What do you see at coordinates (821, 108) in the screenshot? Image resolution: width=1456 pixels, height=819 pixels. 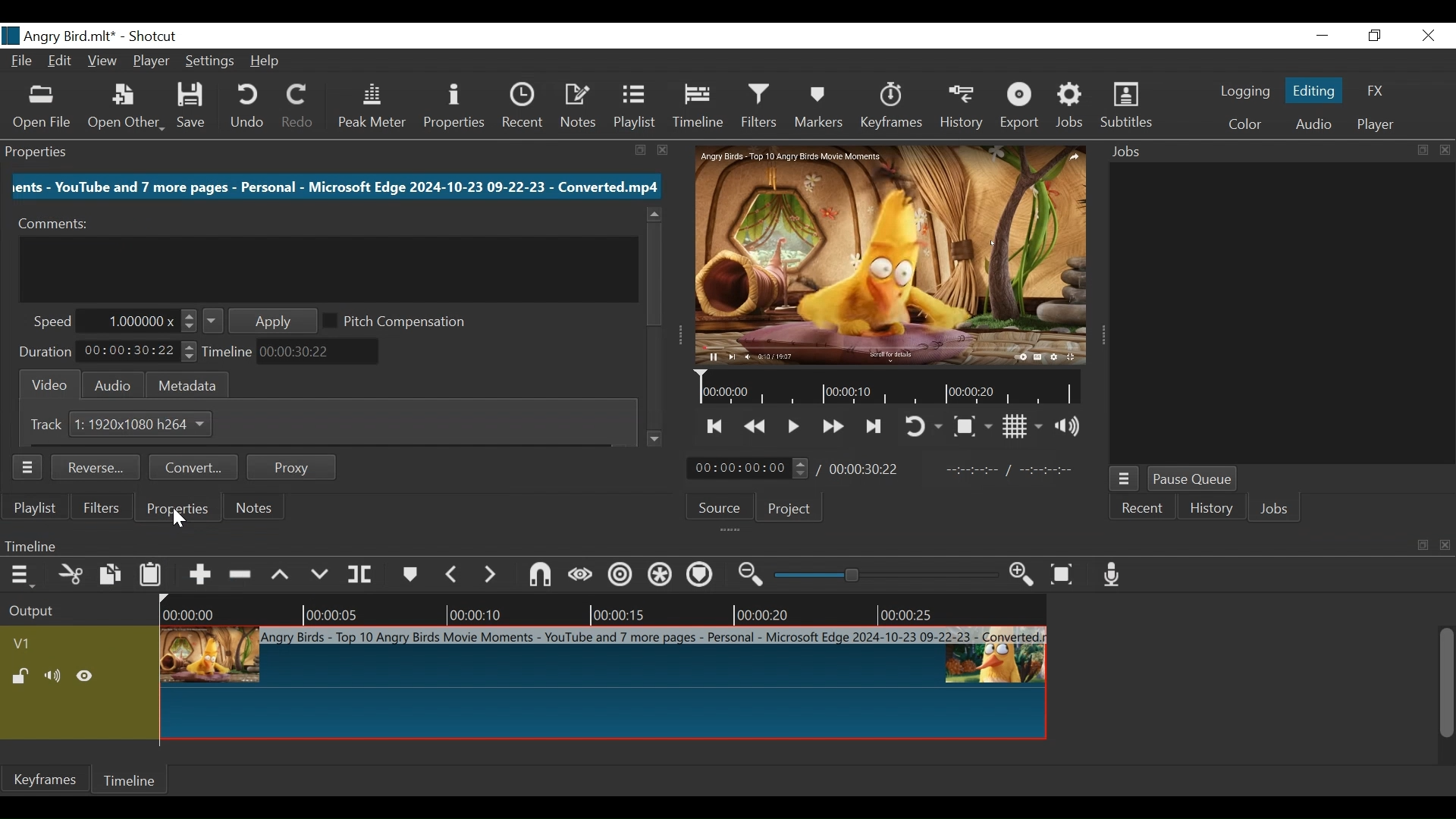 I see `Markers` at bounding box center [821, 108].